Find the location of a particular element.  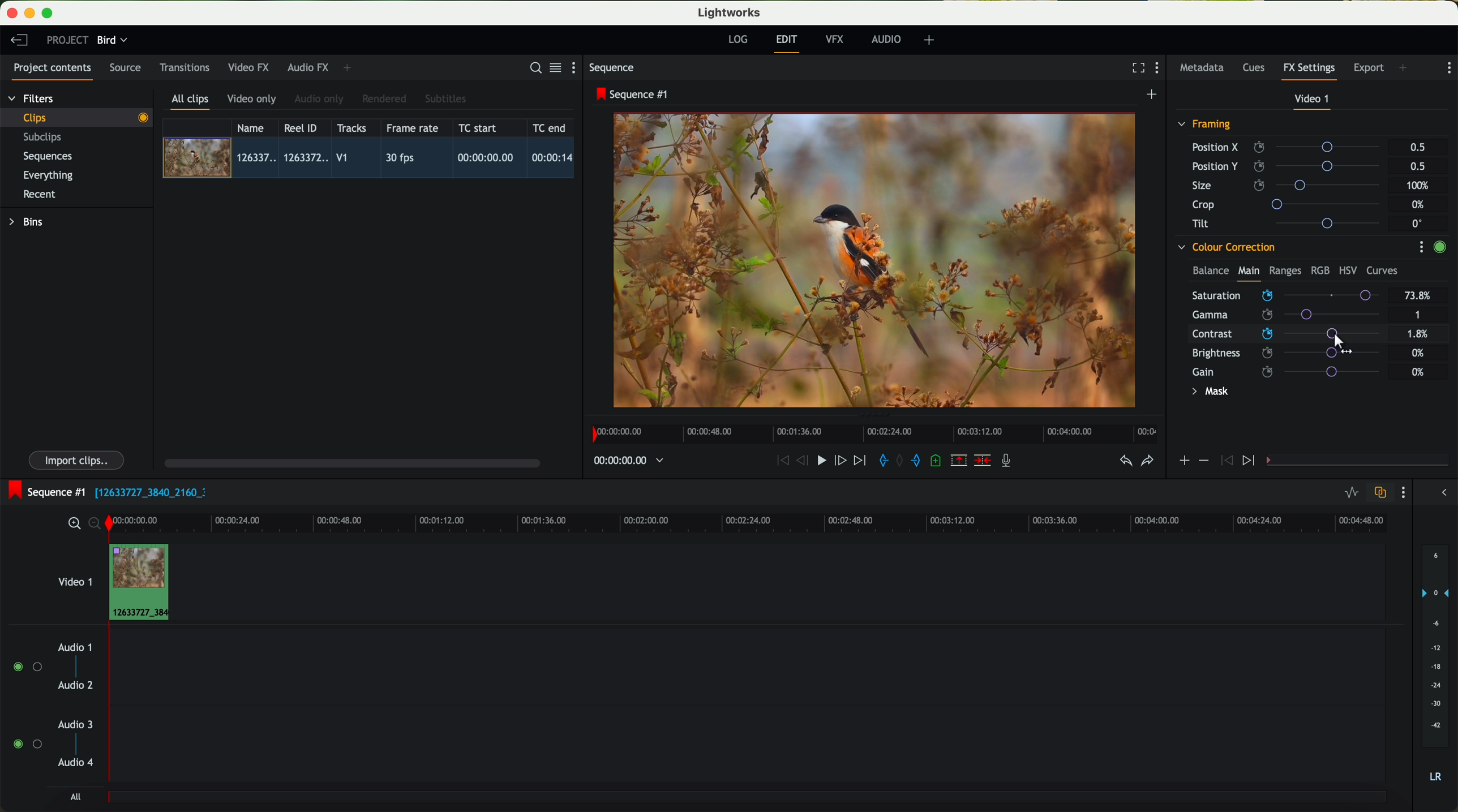

black is located at coordinates (146, 491).